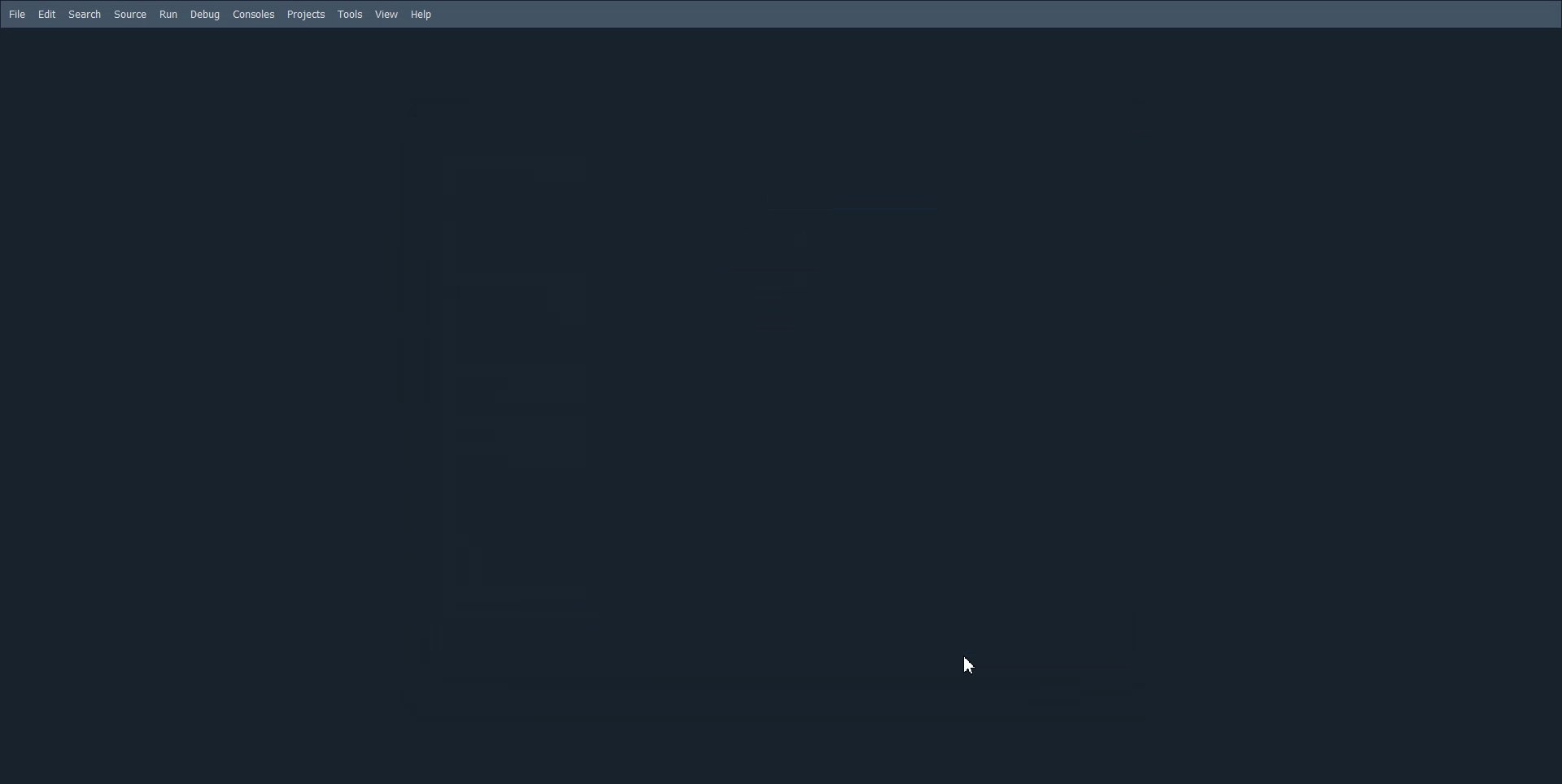 The height and width of the screenshot is (784, 1562). I want to click on View , so click(387, 15).